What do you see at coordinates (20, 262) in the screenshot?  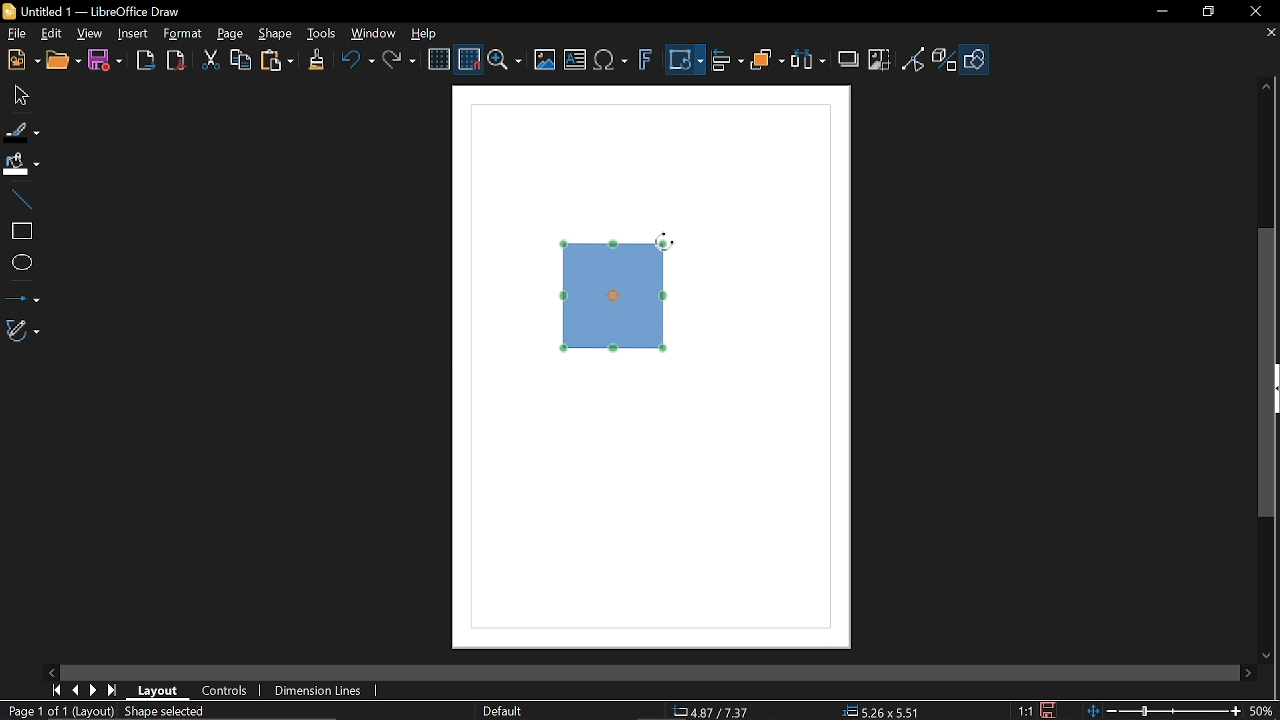 I see `Ellipse` at bounding box center [20, 262].